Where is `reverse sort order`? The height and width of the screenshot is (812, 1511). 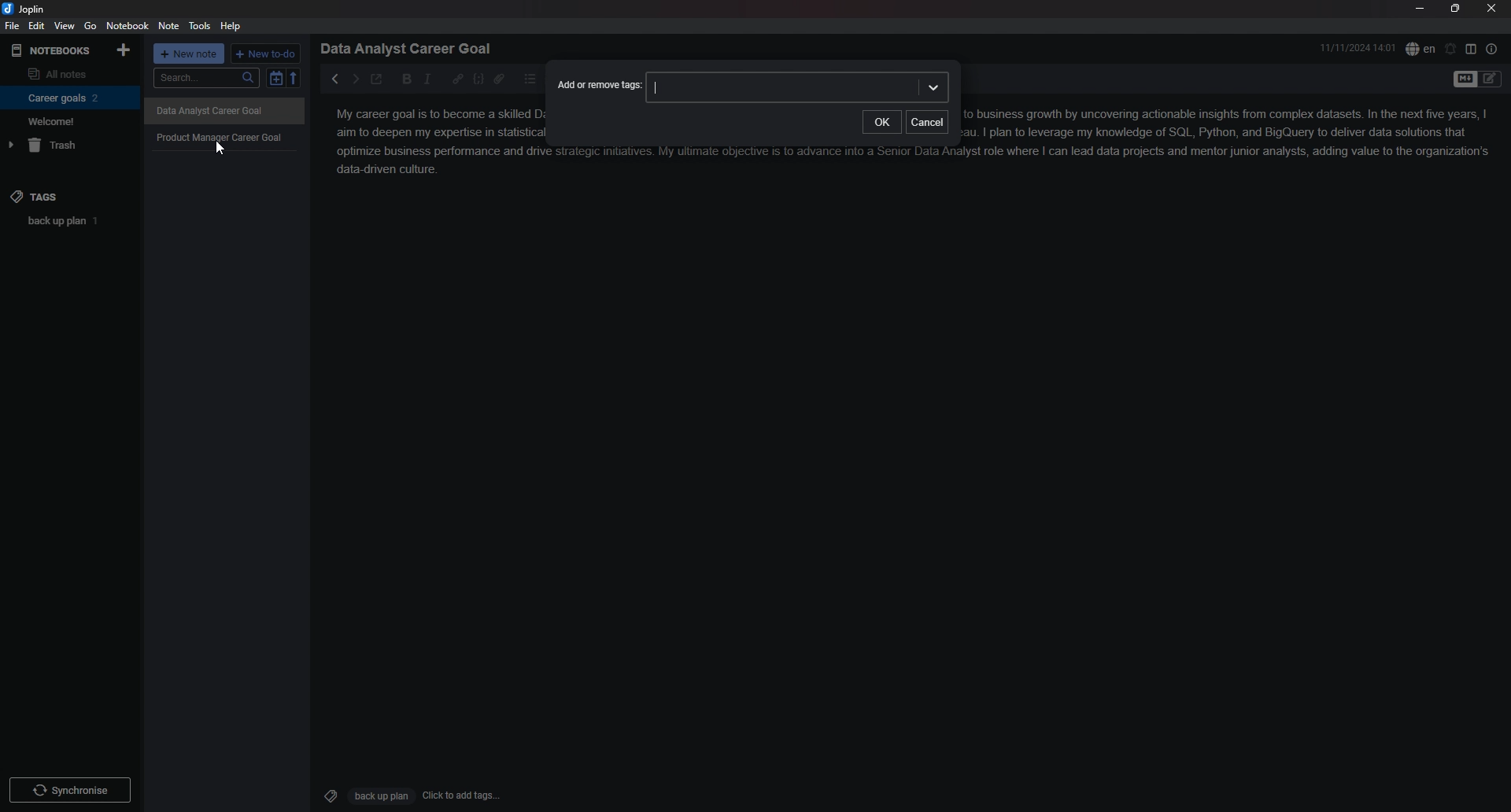
reverse sort order is located at coordinates (294, 77).